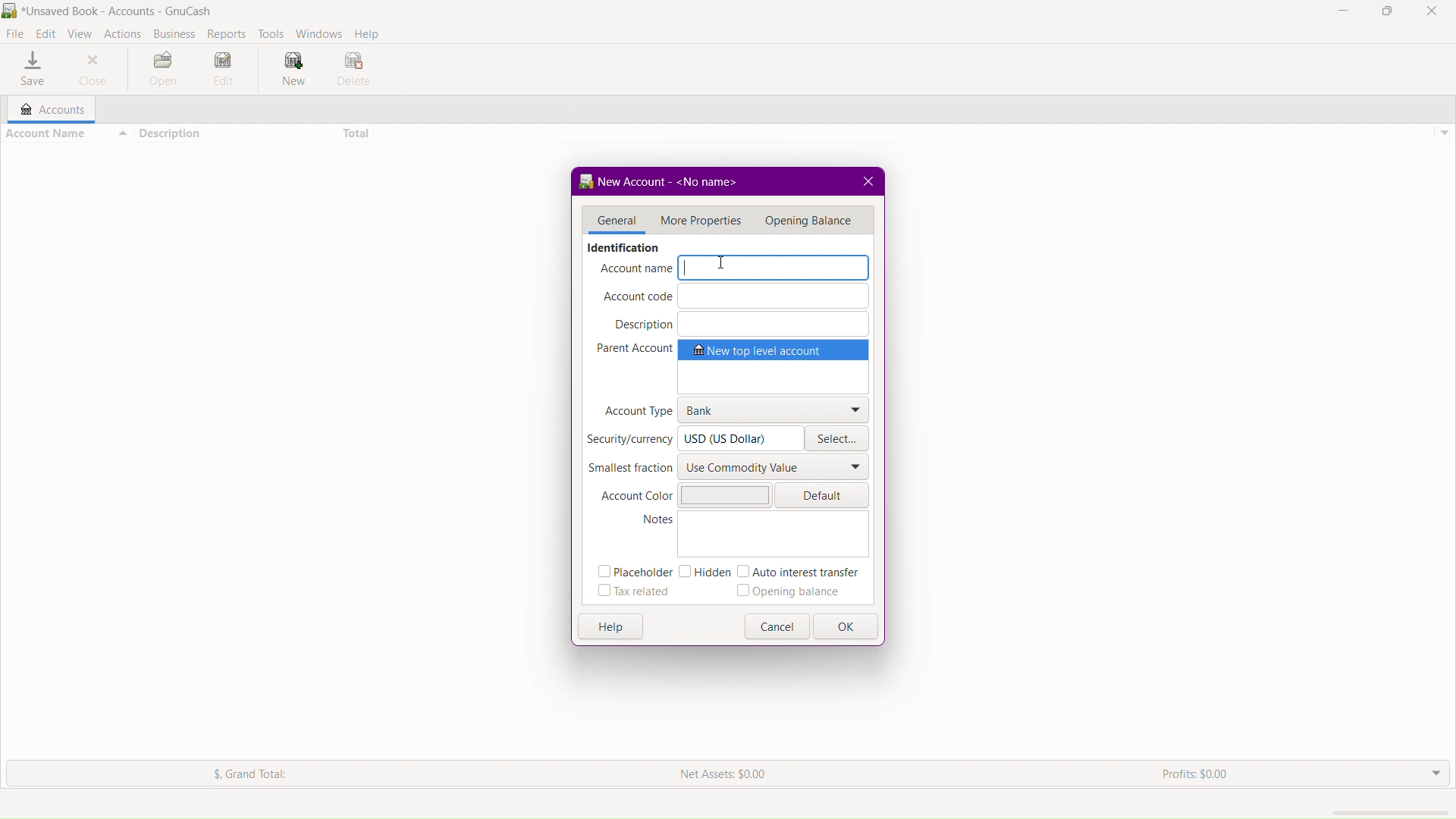 The image size is (1456, 819). I want to click on Minimize, so click(1345, 11).